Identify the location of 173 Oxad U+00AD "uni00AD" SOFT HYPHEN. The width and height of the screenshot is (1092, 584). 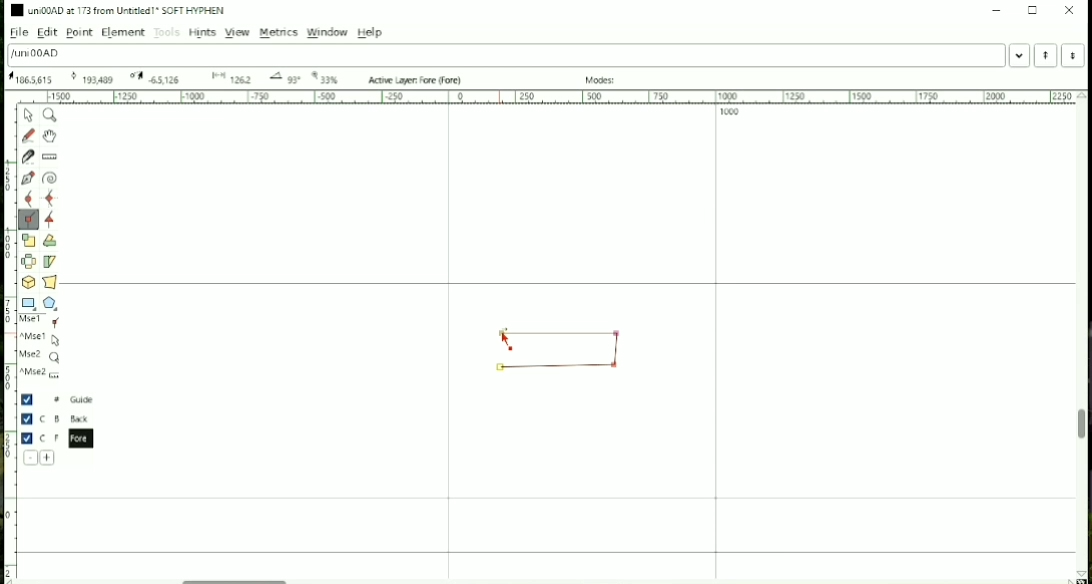
(90, 79).